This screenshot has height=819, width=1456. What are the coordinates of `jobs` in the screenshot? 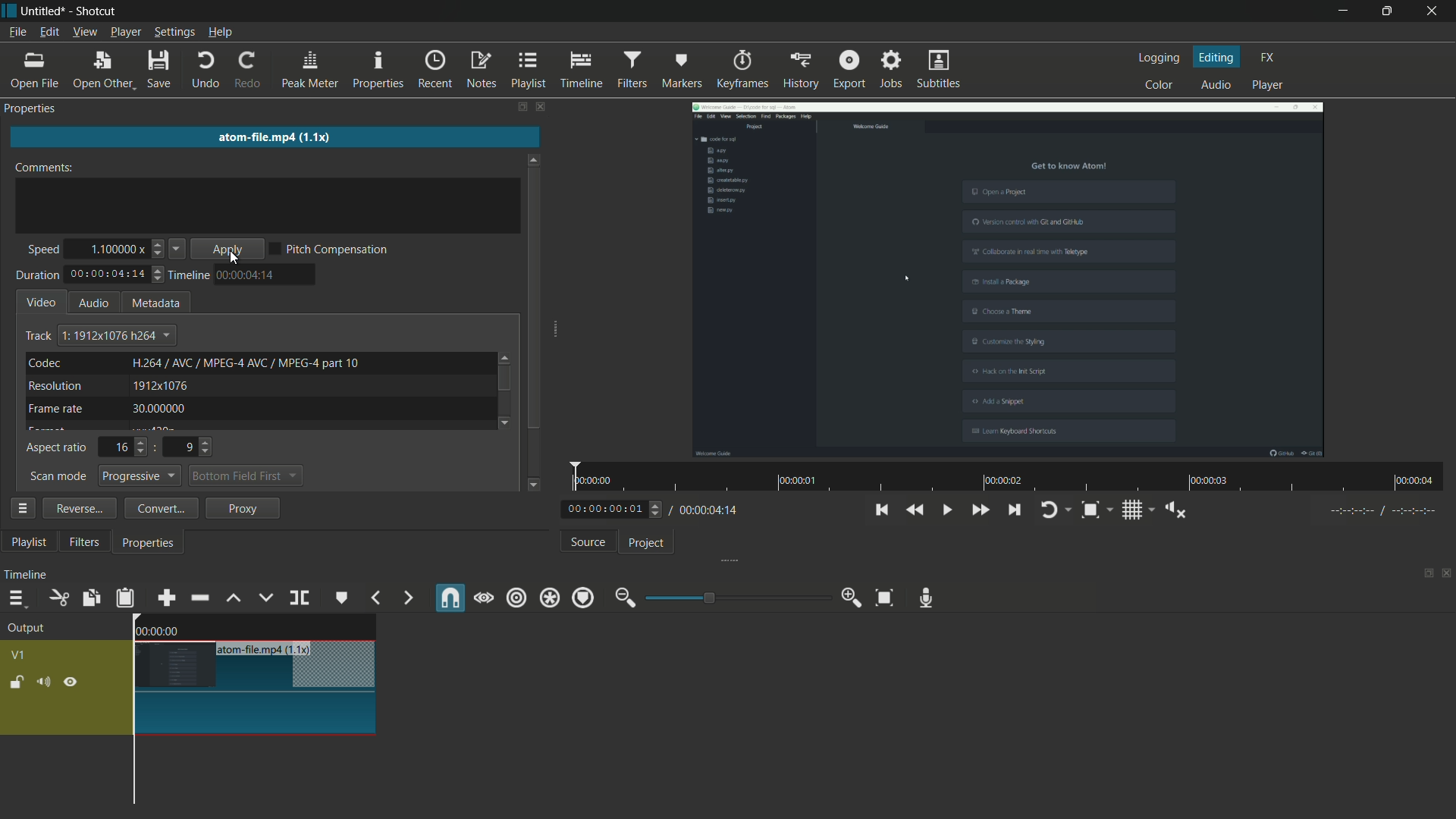 It's located at (891, 68).